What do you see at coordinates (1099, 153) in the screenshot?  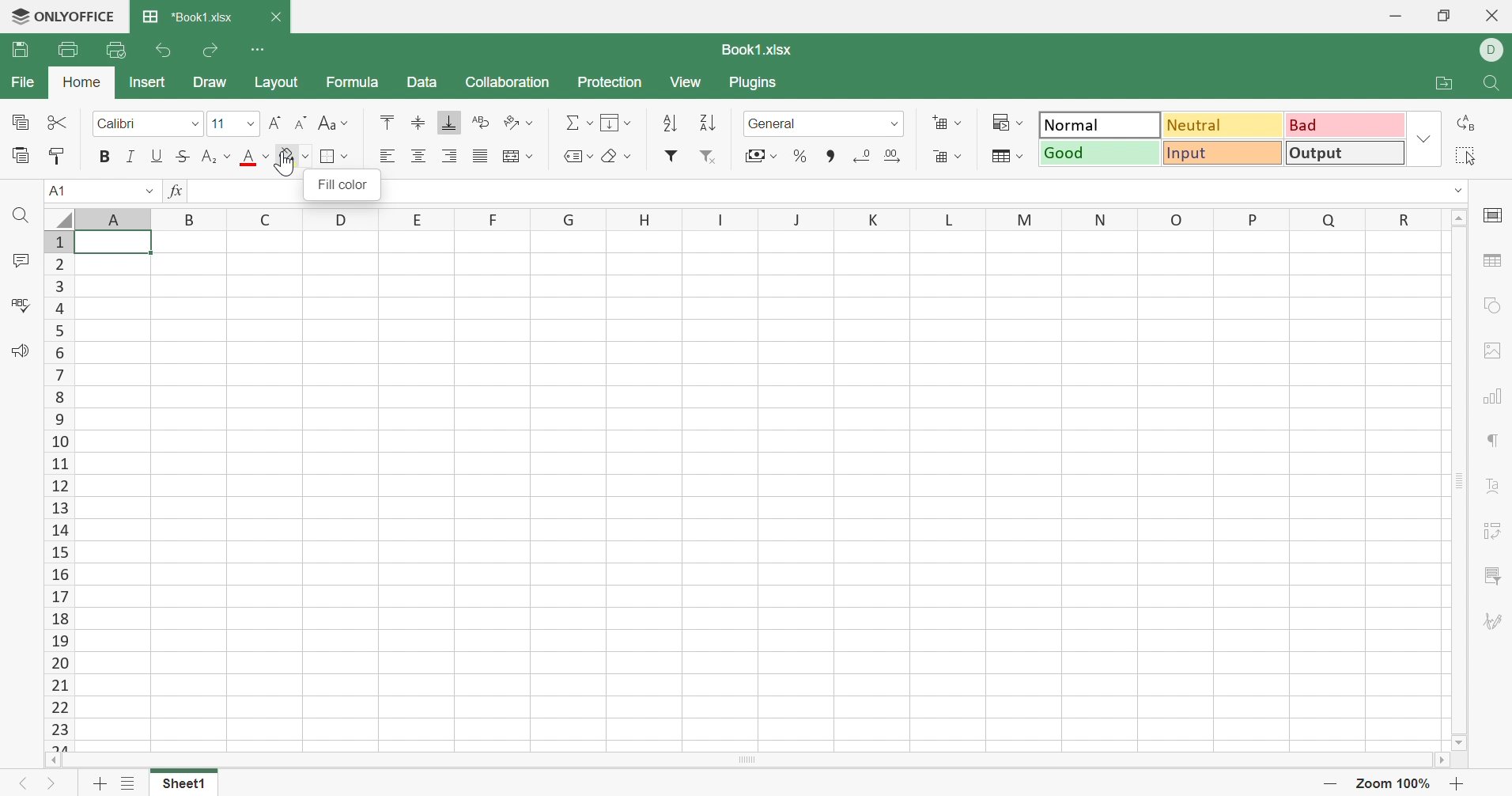 I see `Good` at bounding box center [1099, 153].